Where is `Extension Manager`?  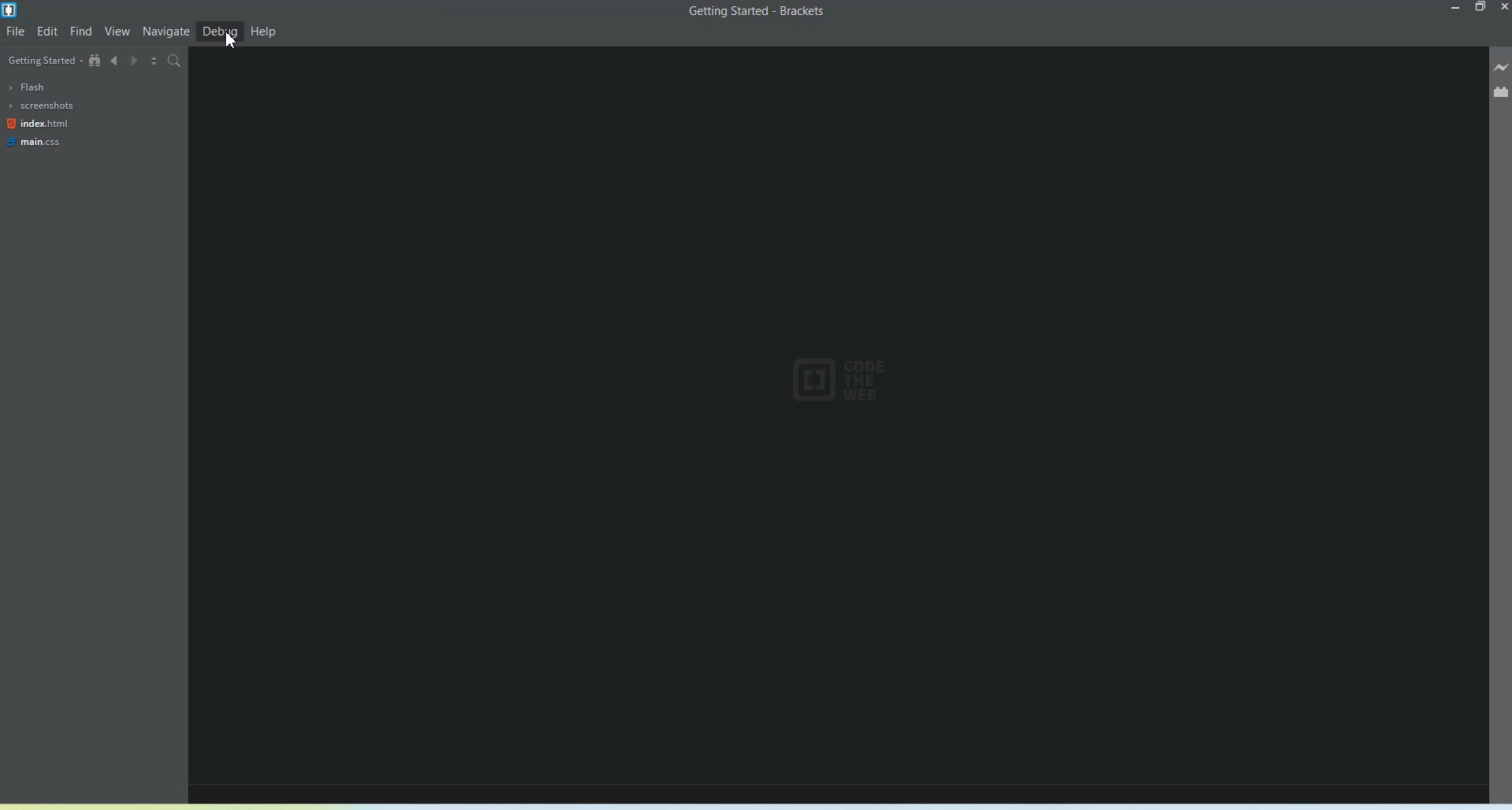 Extension Manager is located at coordinates (1500, 91).